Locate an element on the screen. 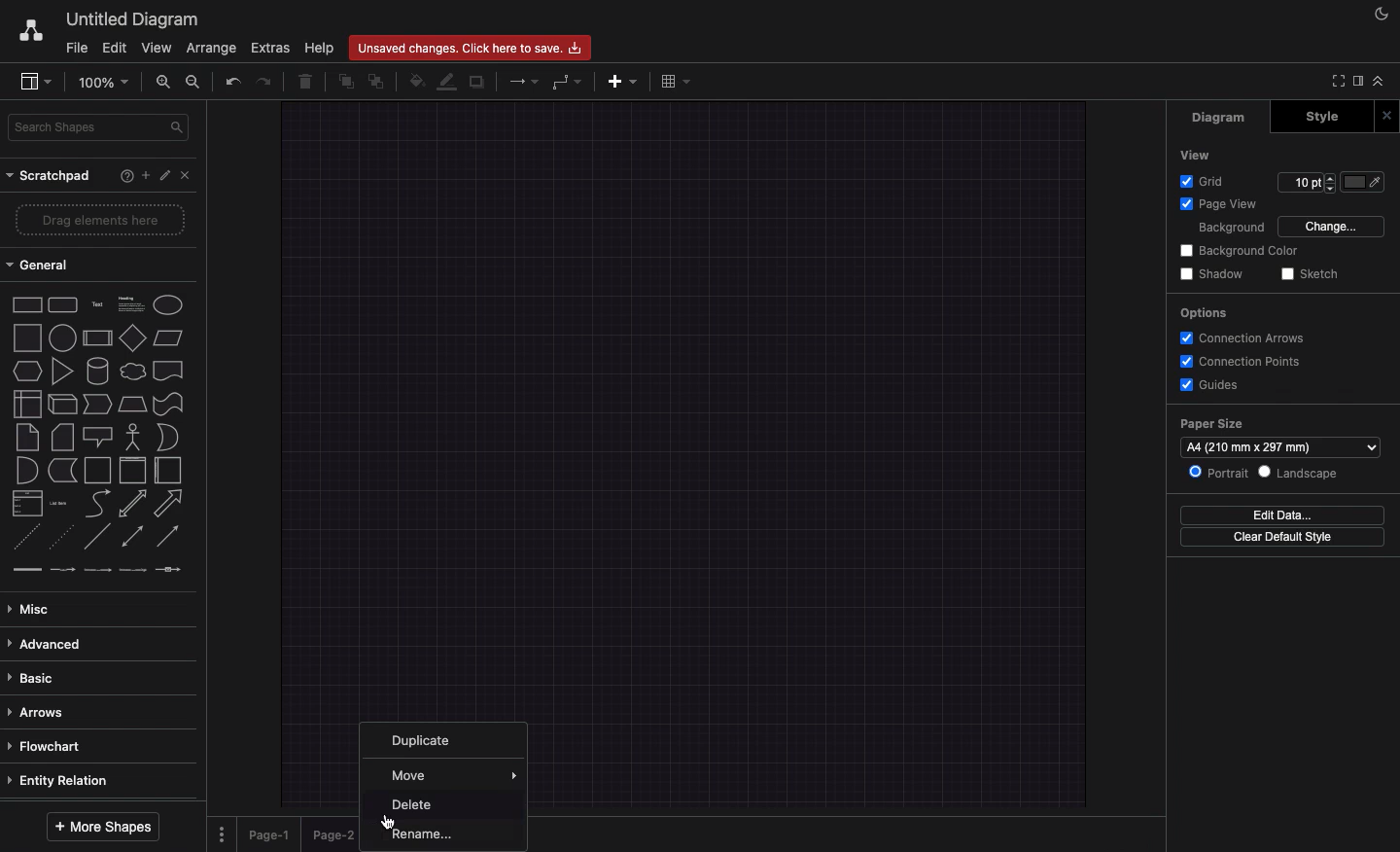  Diagram is located at coordinates (1221, 119).